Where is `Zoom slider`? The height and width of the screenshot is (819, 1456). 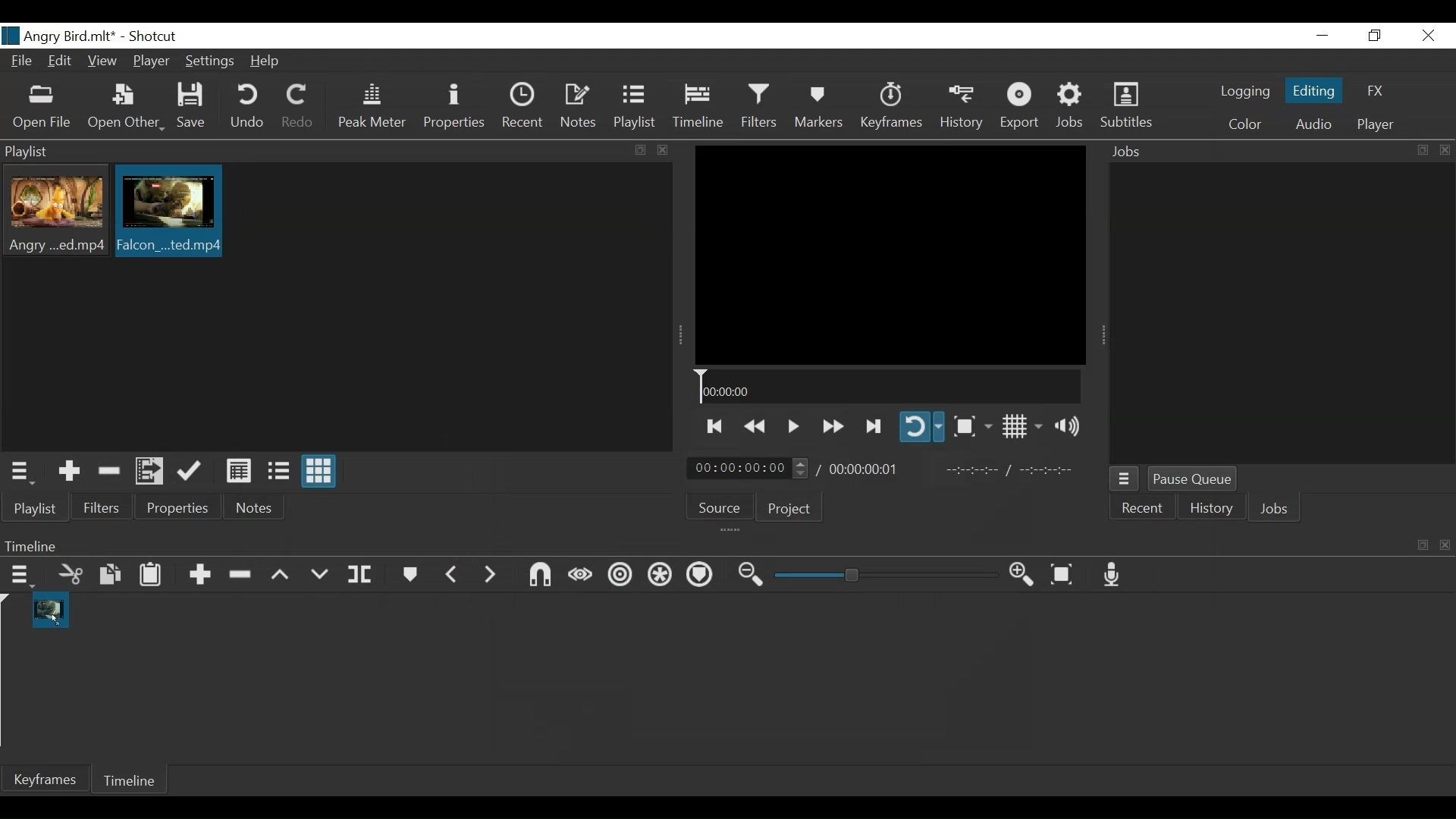 Zoom slider is located at coordinates (889, 575).